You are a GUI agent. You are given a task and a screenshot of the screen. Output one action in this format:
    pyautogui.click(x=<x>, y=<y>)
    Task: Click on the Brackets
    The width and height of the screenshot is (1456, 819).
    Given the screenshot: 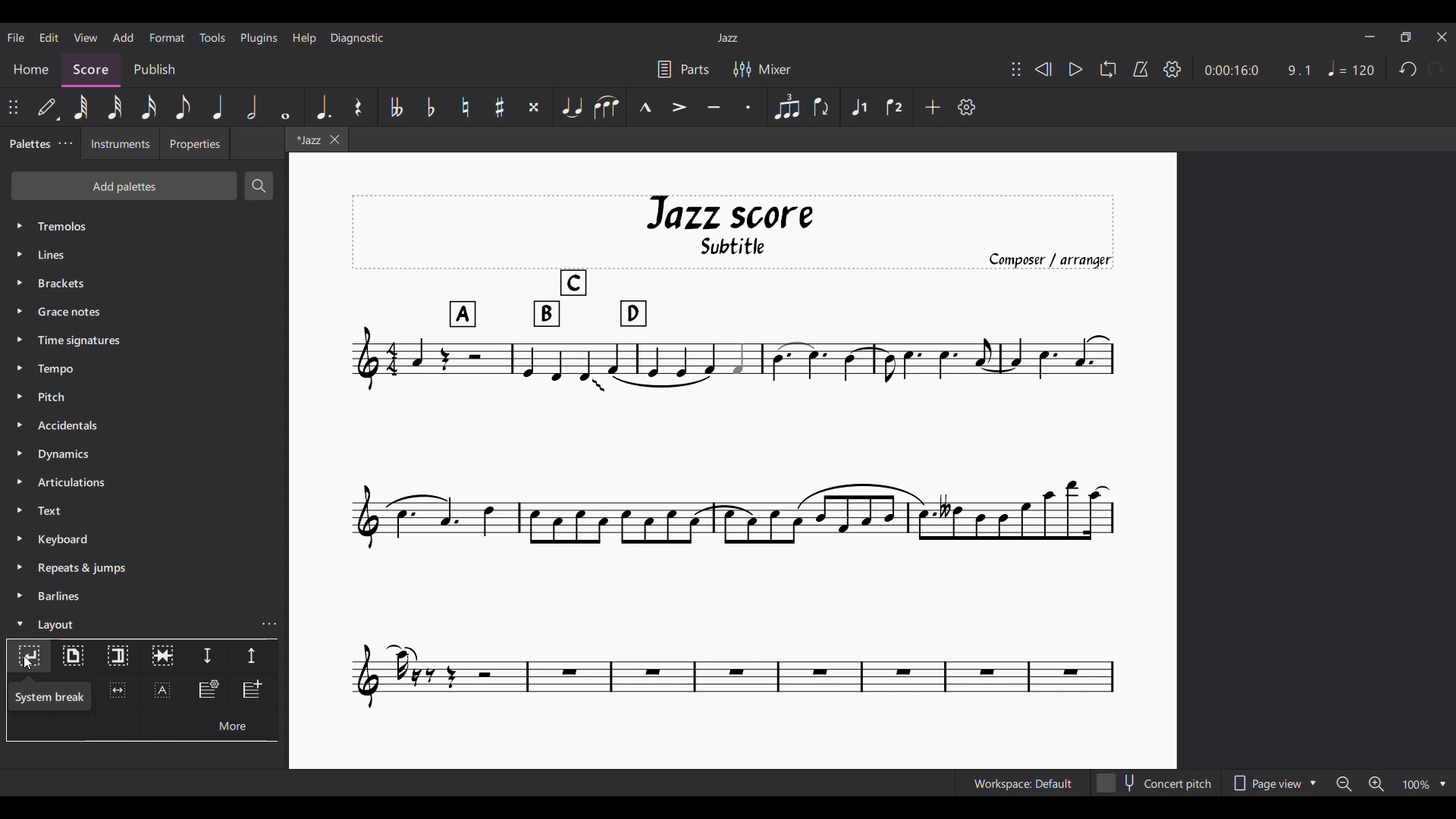 What is the action you would take?
    pyautogui.click(x=144, y=283)
    